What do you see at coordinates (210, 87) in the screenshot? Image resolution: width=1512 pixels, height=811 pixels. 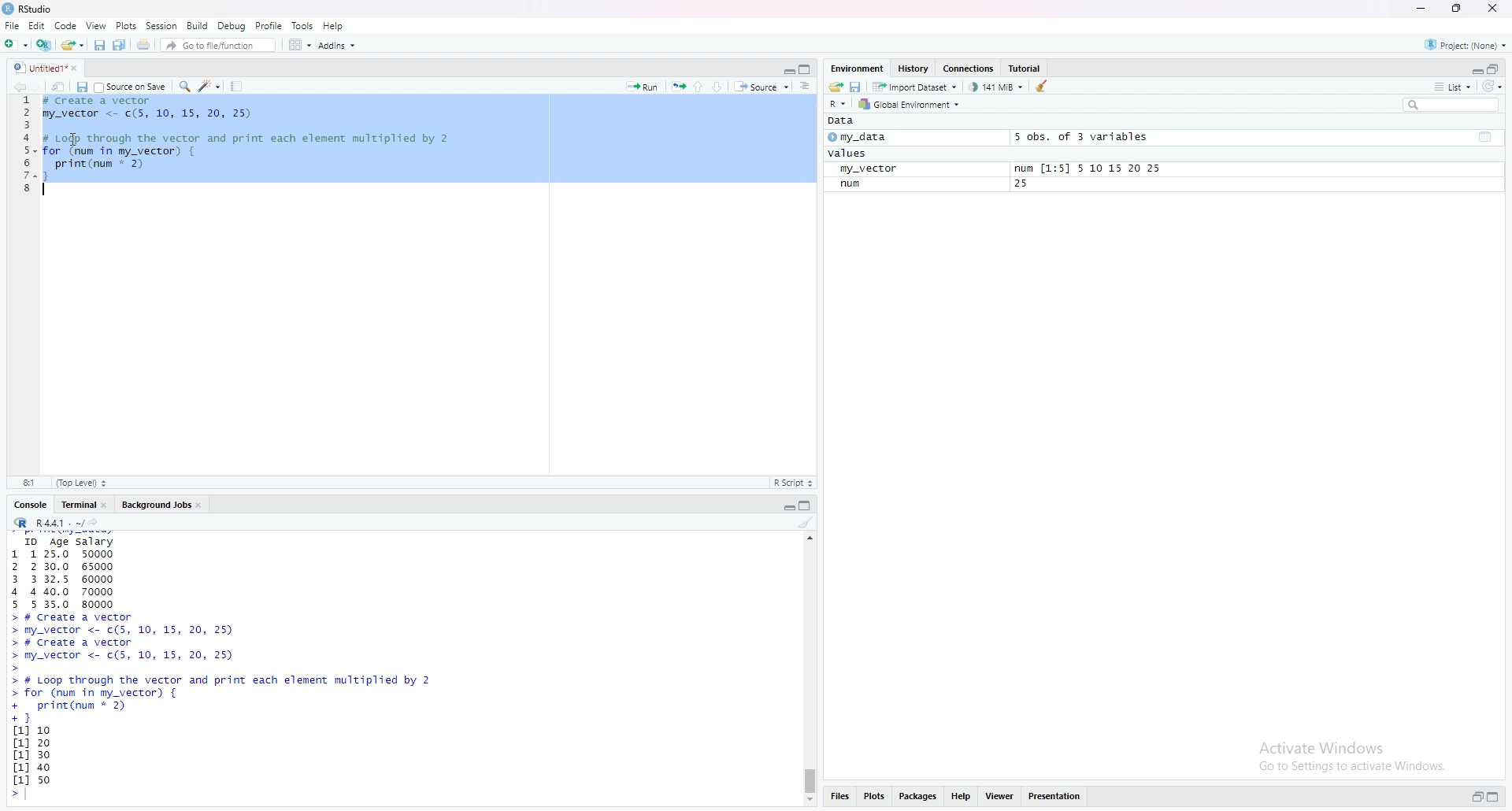 I see `code tools` at bounding box center [210, 87].